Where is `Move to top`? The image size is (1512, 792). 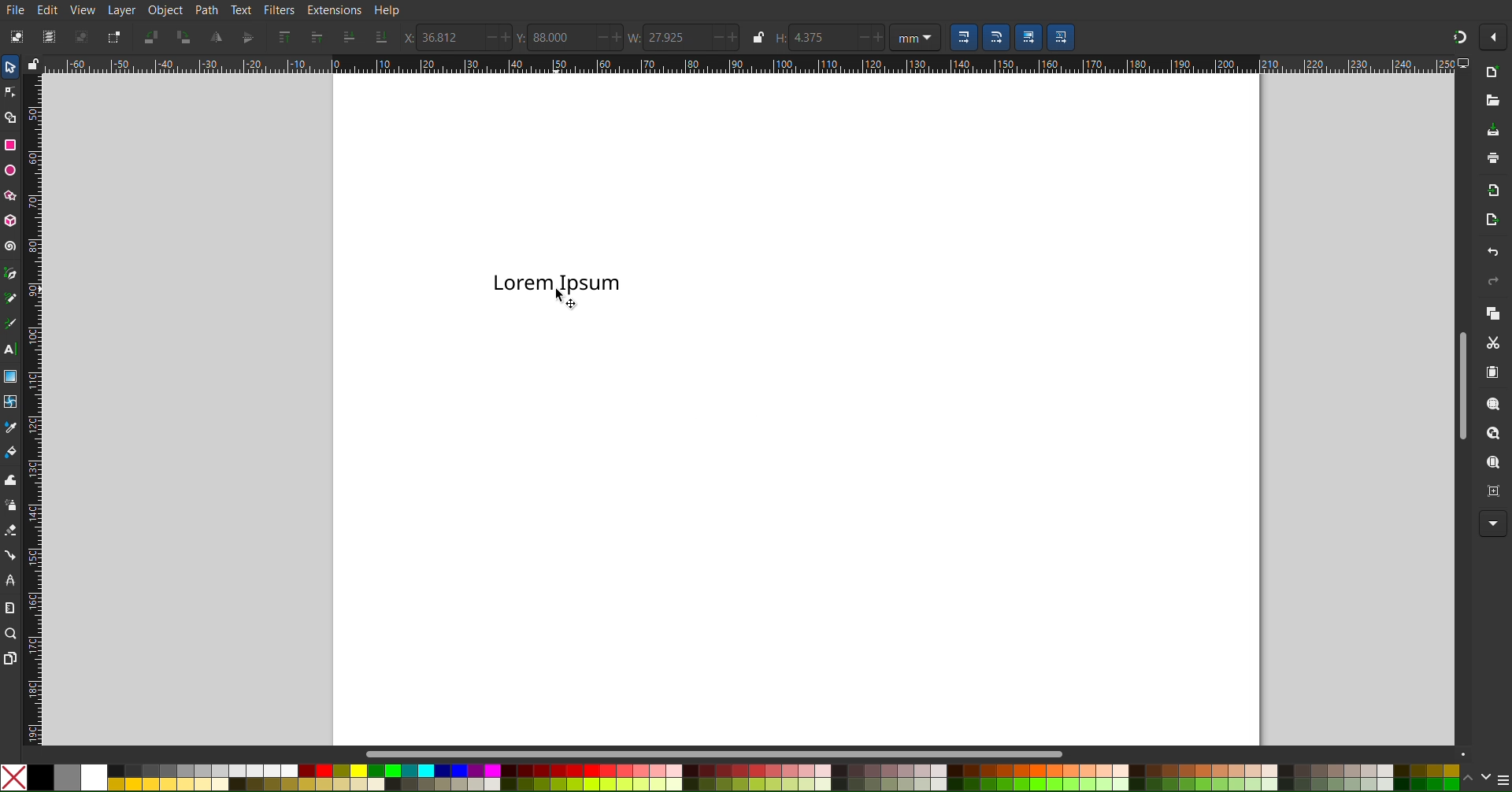 Move to top is located at coordinates (283, 37).